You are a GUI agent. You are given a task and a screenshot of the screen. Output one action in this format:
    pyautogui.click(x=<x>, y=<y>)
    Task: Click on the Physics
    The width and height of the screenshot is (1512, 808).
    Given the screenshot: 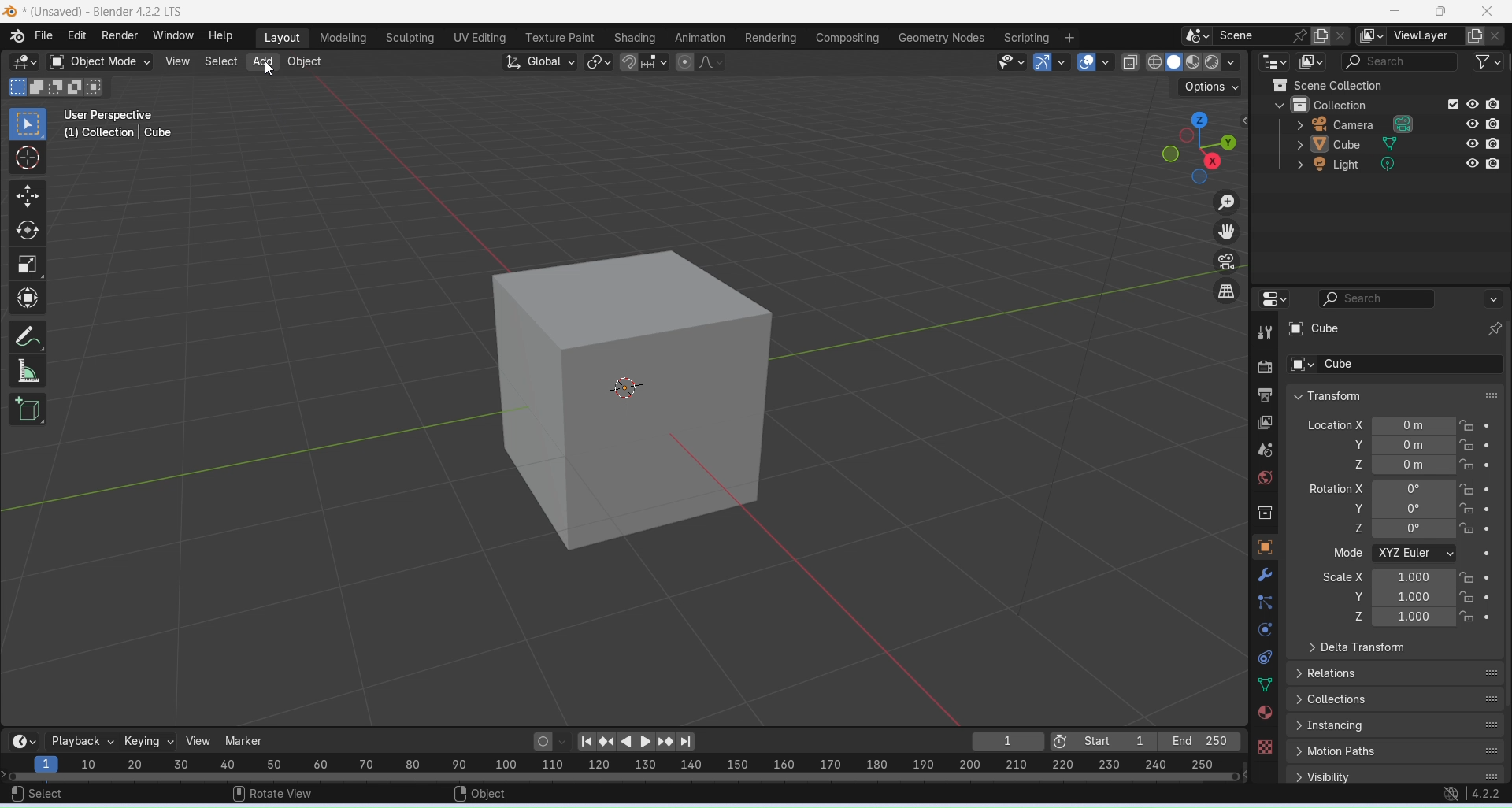 What is the action you would take?
    pyautogui.click(x=1264, y=628)
    